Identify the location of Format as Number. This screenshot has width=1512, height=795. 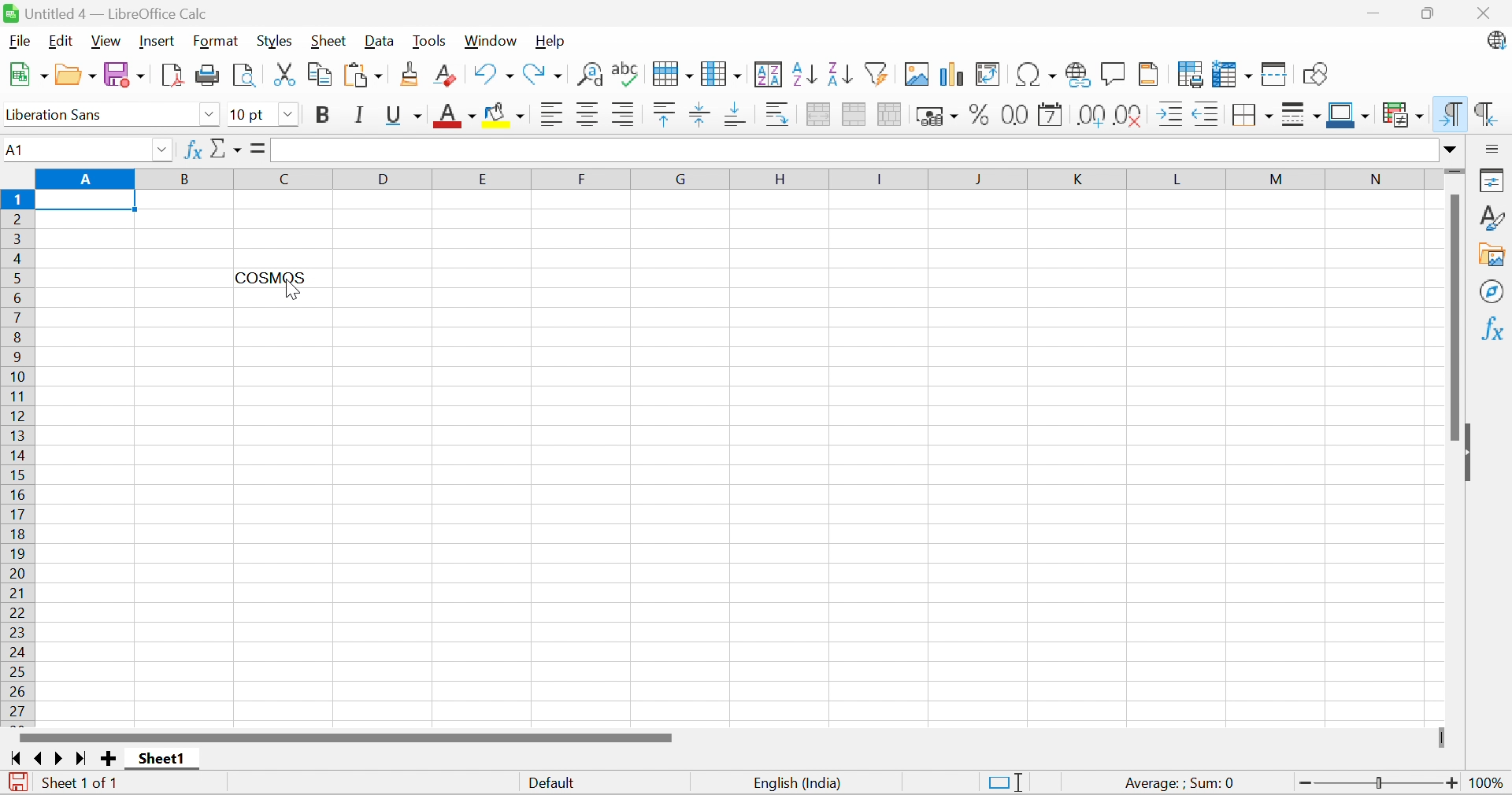
(1013, 114).